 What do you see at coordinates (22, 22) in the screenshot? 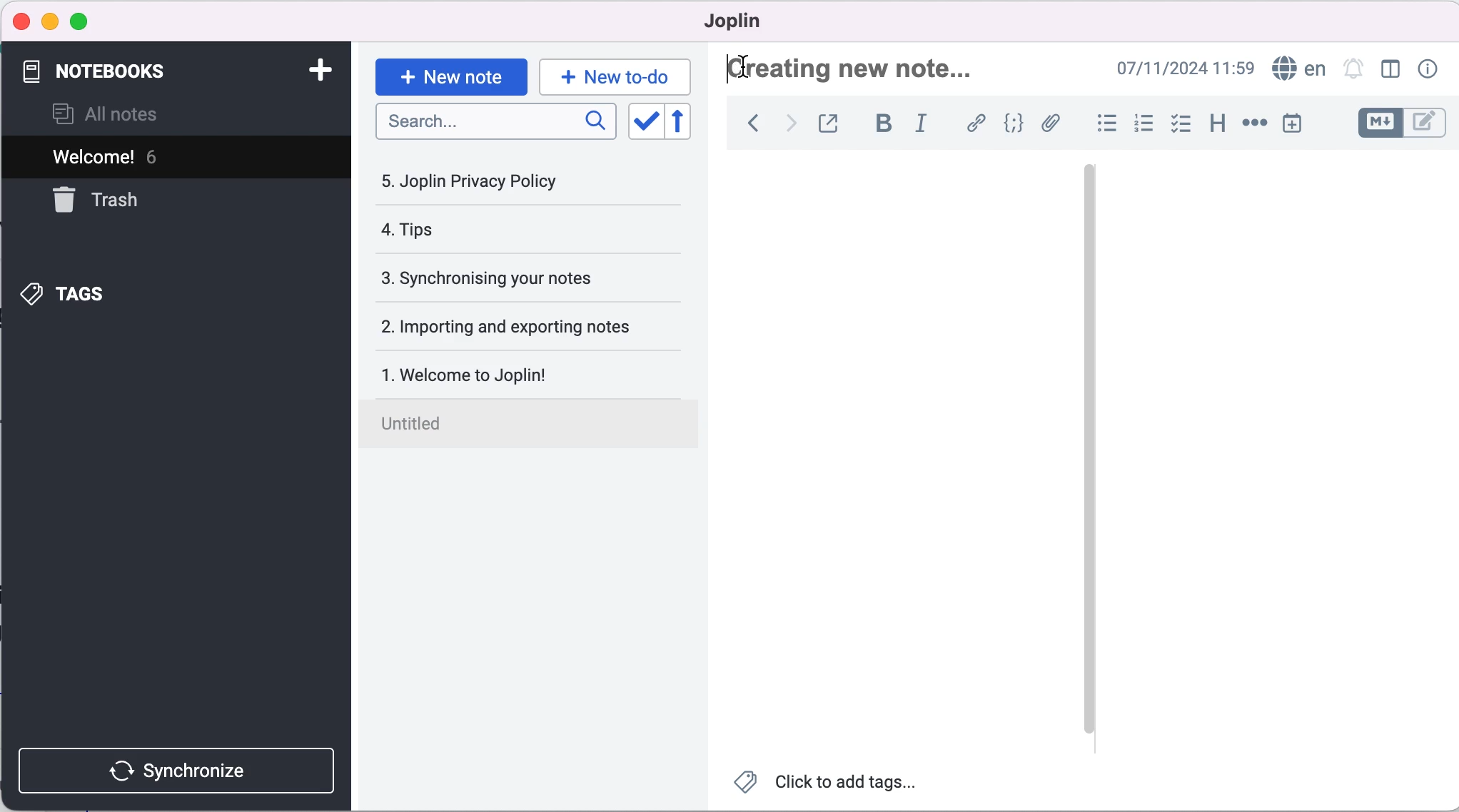
I see `close` at bounding box center [22, 22].